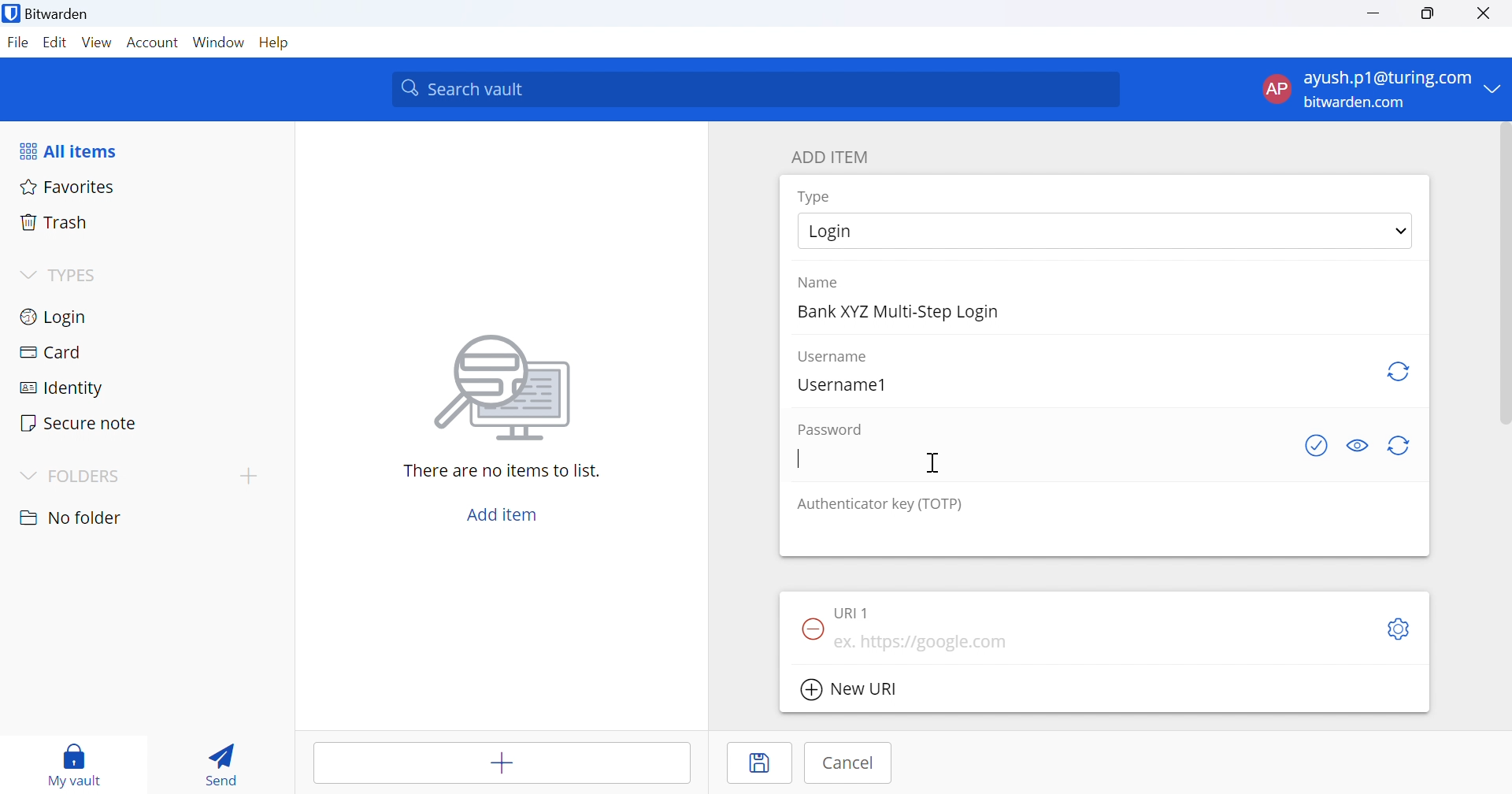  Describe the element at coordinates (834, 155) in the screenshot. I see `ADD ITEM` at that location.